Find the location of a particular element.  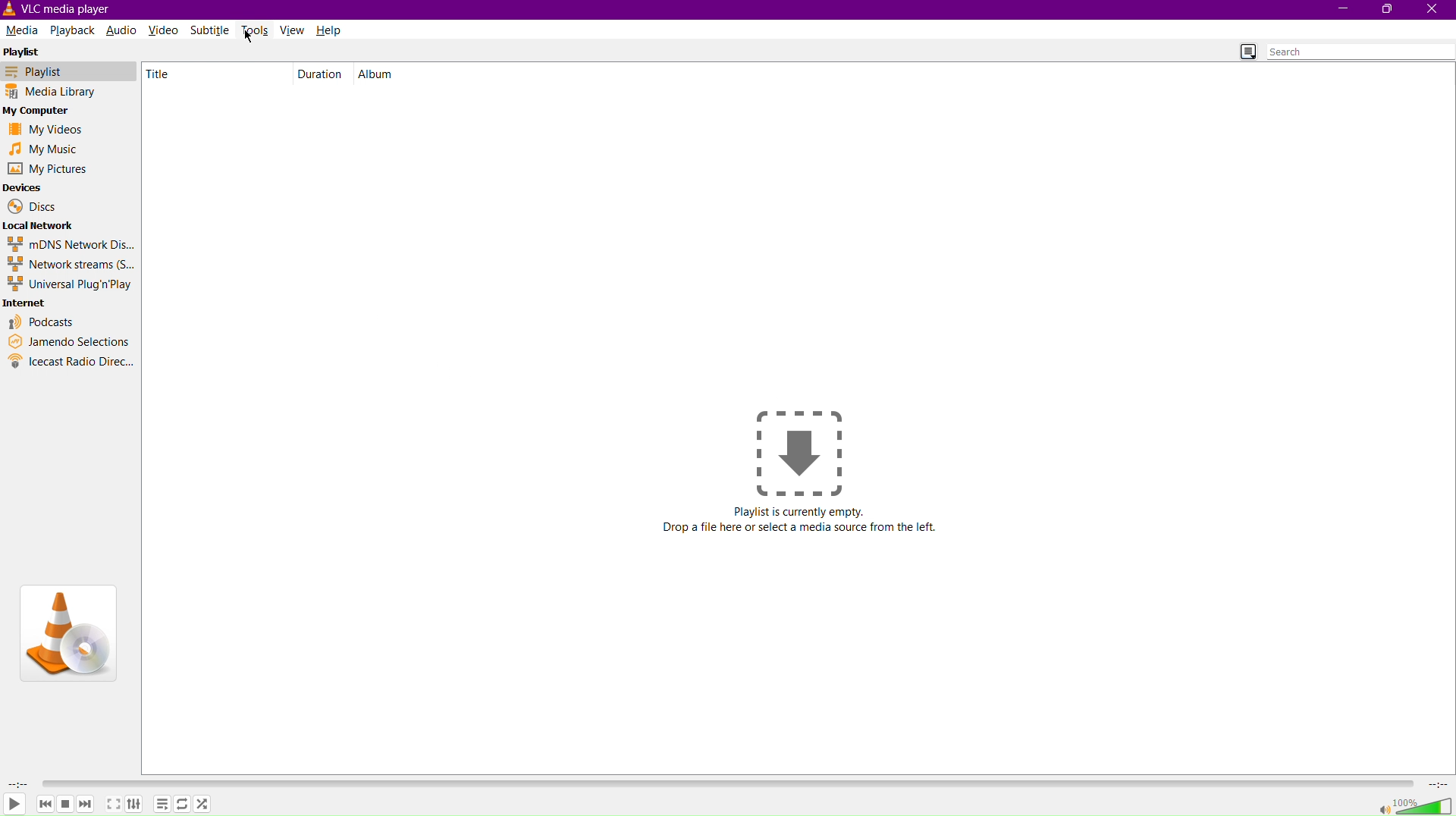

Close is located at coordinates (1436, 11).